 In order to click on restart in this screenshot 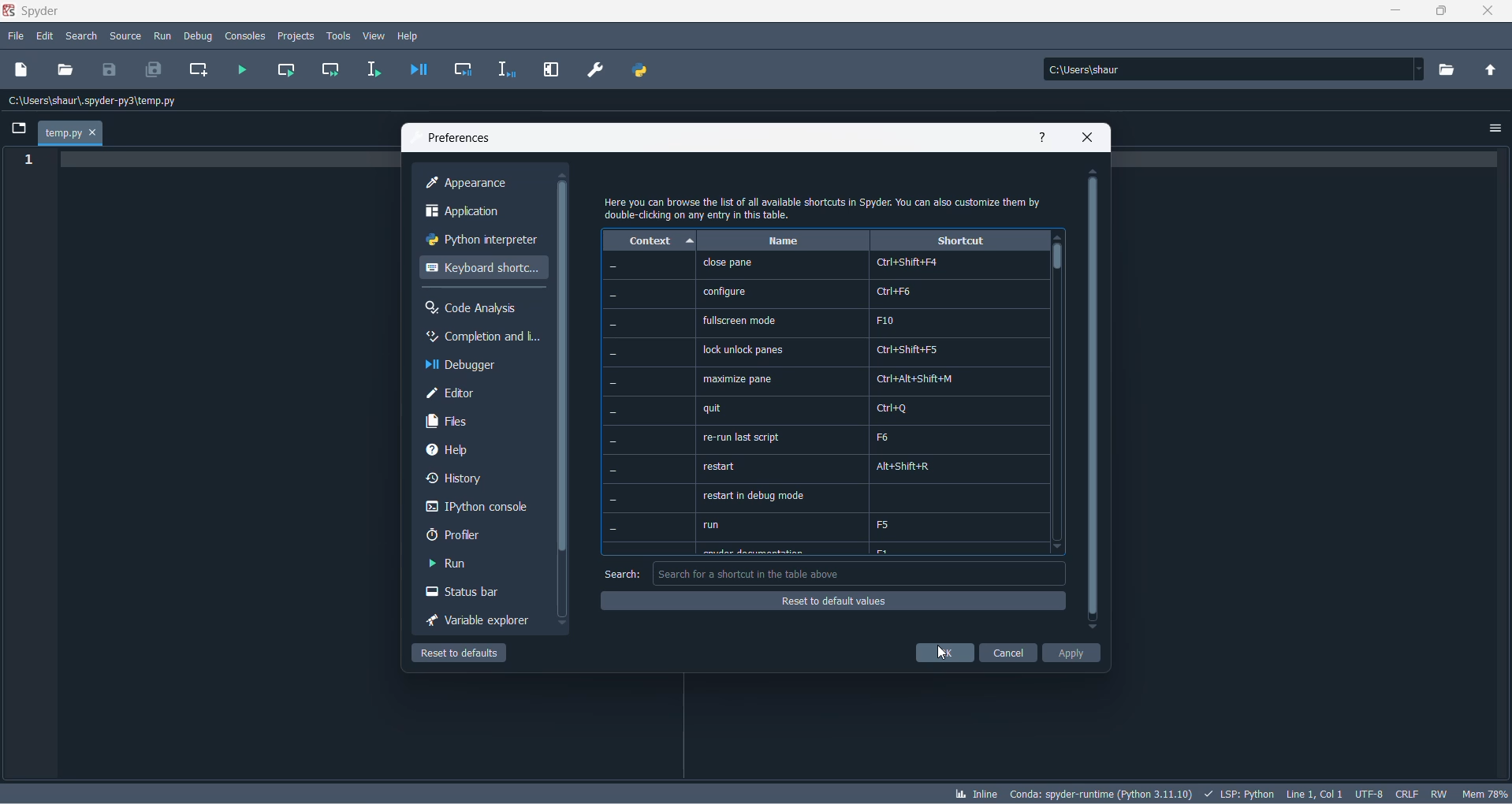, I will do `click(721, 467)`.